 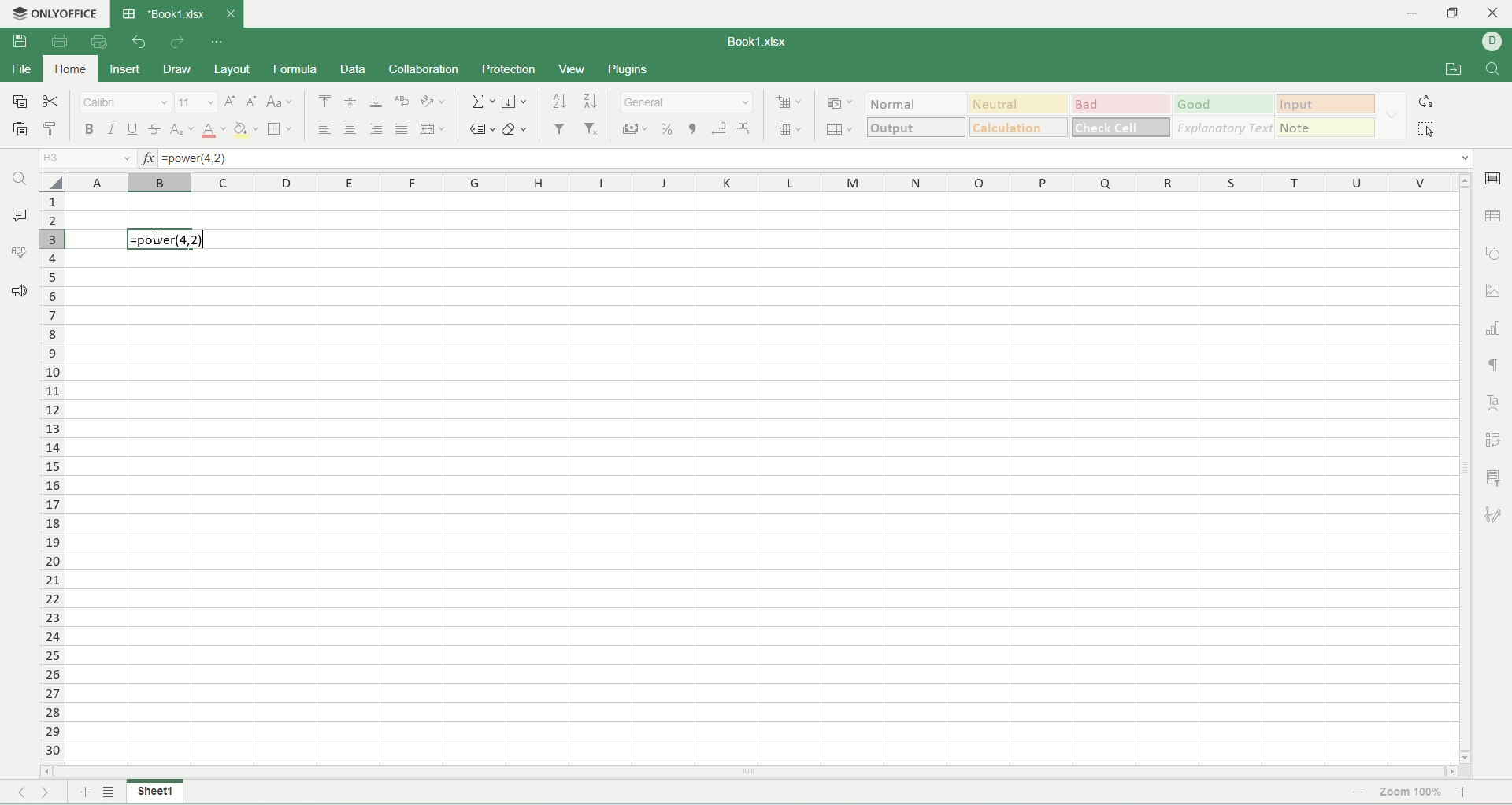 What do you see at coordinates (1020, 128) in the screenshot?
I see `calculation` at bounding box center [1020, 128].